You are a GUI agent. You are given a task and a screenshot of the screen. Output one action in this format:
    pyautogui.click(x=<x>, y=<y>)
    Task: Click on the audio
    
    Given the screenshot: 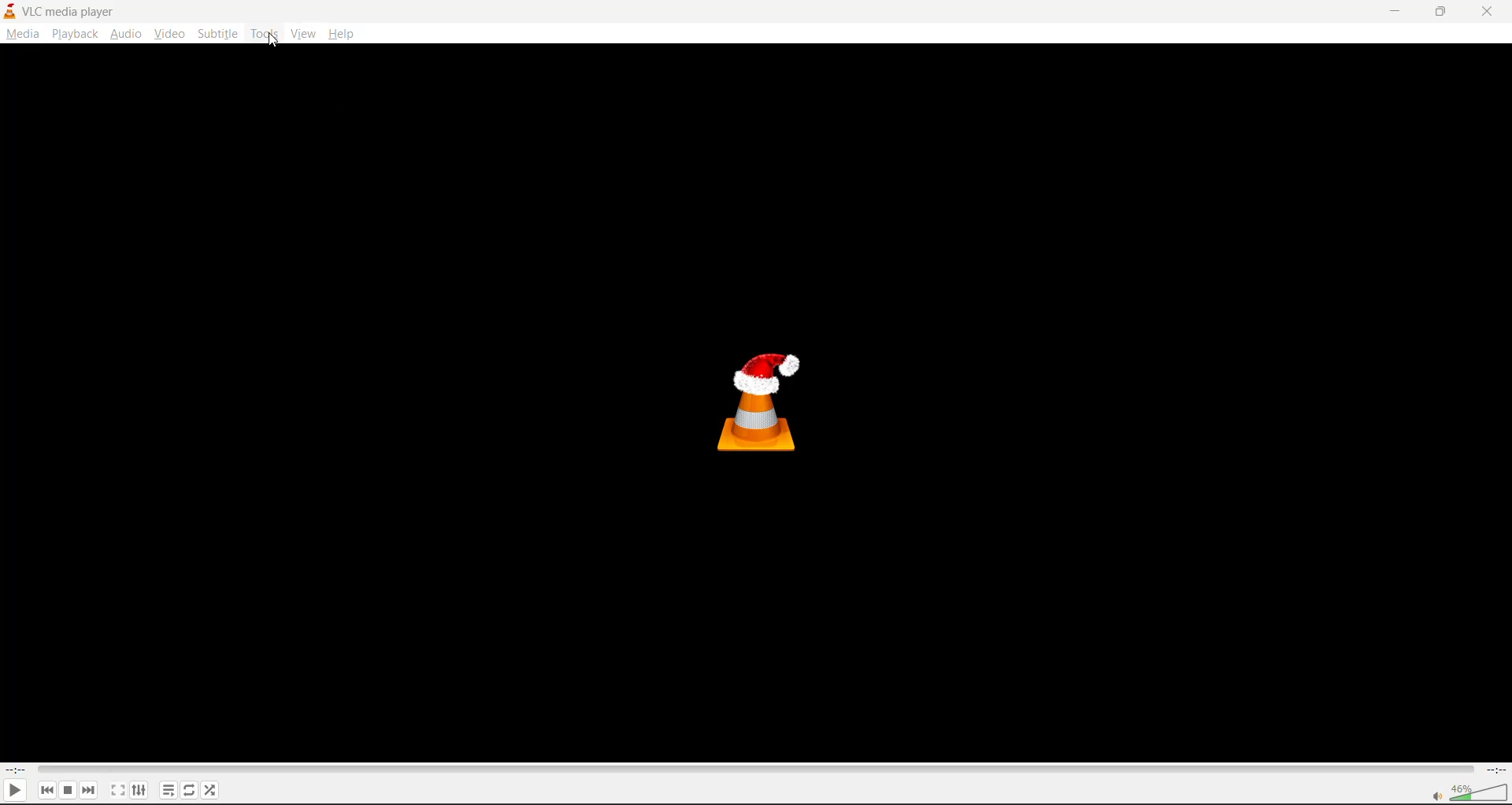 What is the action you would take?
    pyautogui.click(x=126, y=32)
    